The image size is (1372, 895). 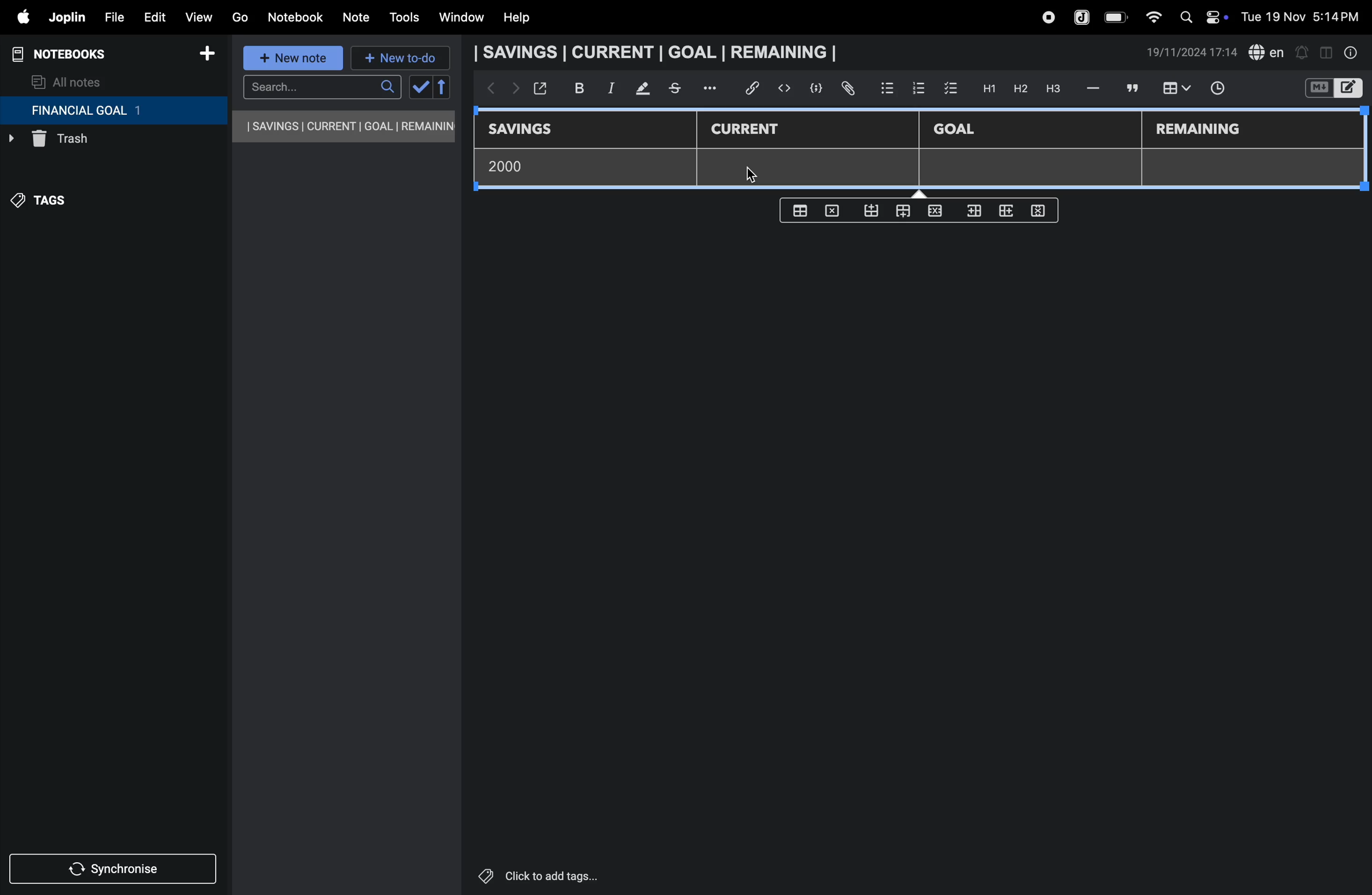 What do you see at coordinates (539, 88) in the screenshot?
I see `open window` at bounding box center [539, 88].